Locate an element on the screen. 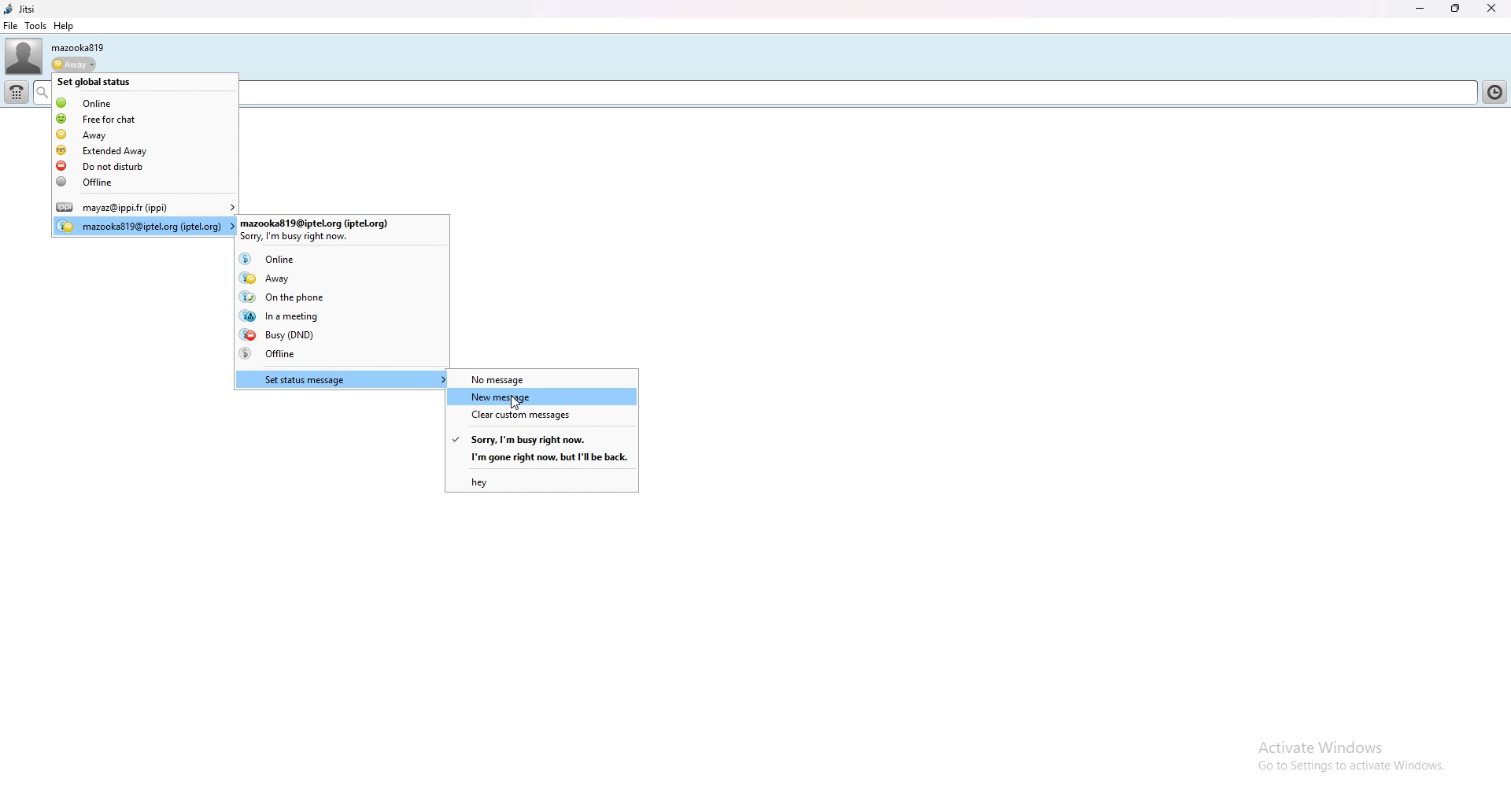 The width and height of the screenshot is (1511, 812). resize is located at coordinates (1457, 8).